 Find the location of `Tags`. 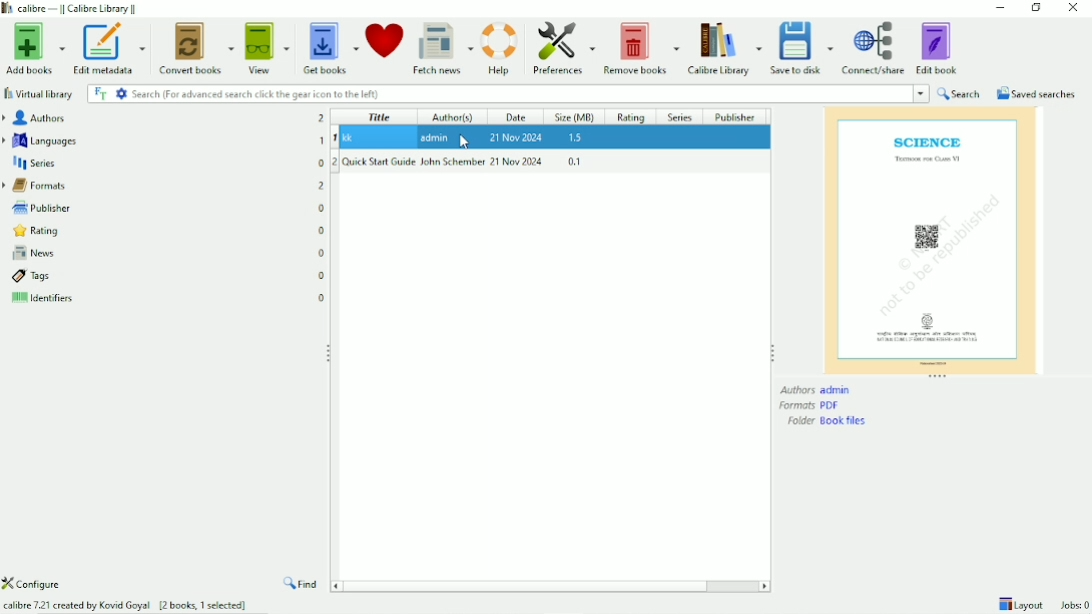

Tags is located at coordinates (167, 276).